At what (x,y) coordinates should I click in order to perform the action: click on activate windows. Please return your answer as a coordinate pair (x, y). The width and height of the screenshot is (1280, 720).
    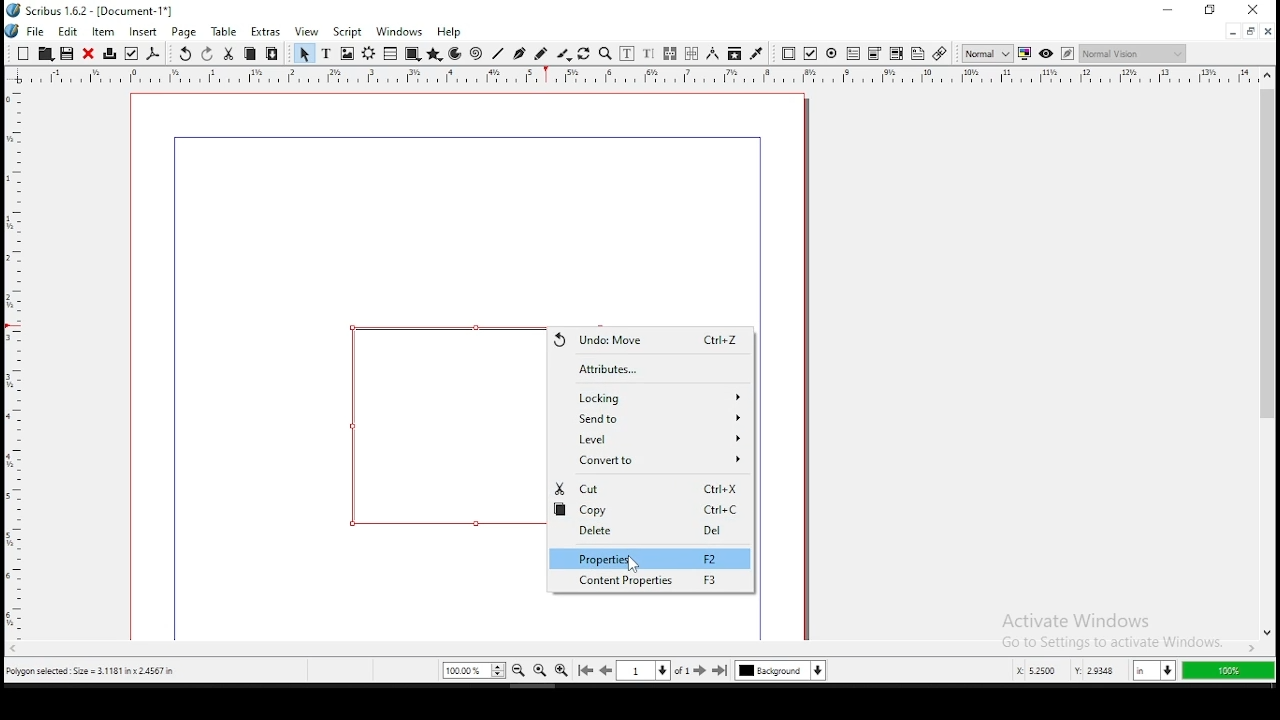
    Looking at the image, I should click on (1112, 625).